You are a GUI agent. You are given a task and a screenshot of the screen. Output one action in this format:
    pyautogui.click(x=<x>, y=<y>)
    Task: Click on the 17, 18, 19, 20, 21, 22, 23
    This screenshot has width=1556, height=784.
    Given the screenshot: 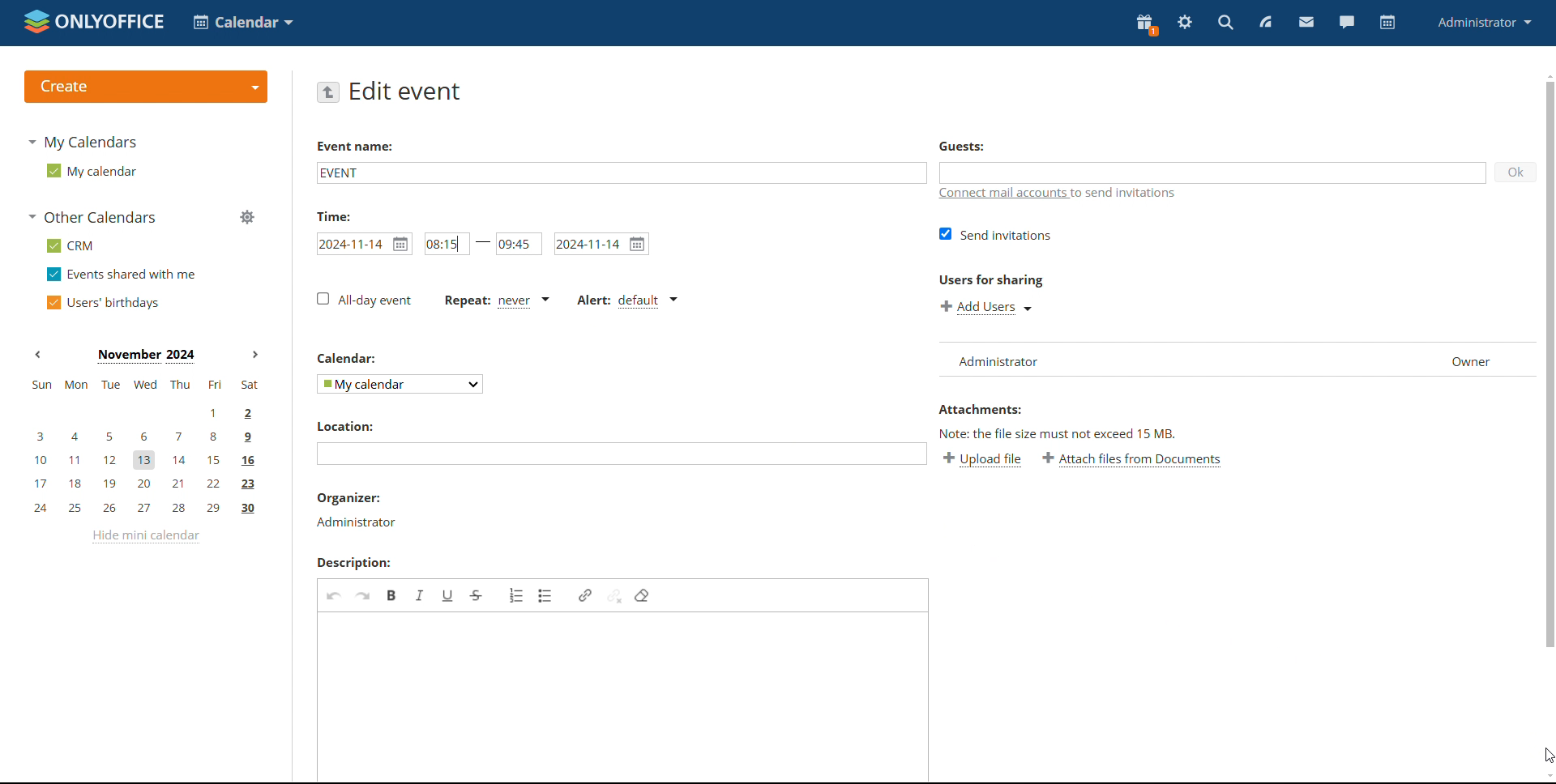 What is the action you would take?
    pyautogui.click(x=147, y=484)
    